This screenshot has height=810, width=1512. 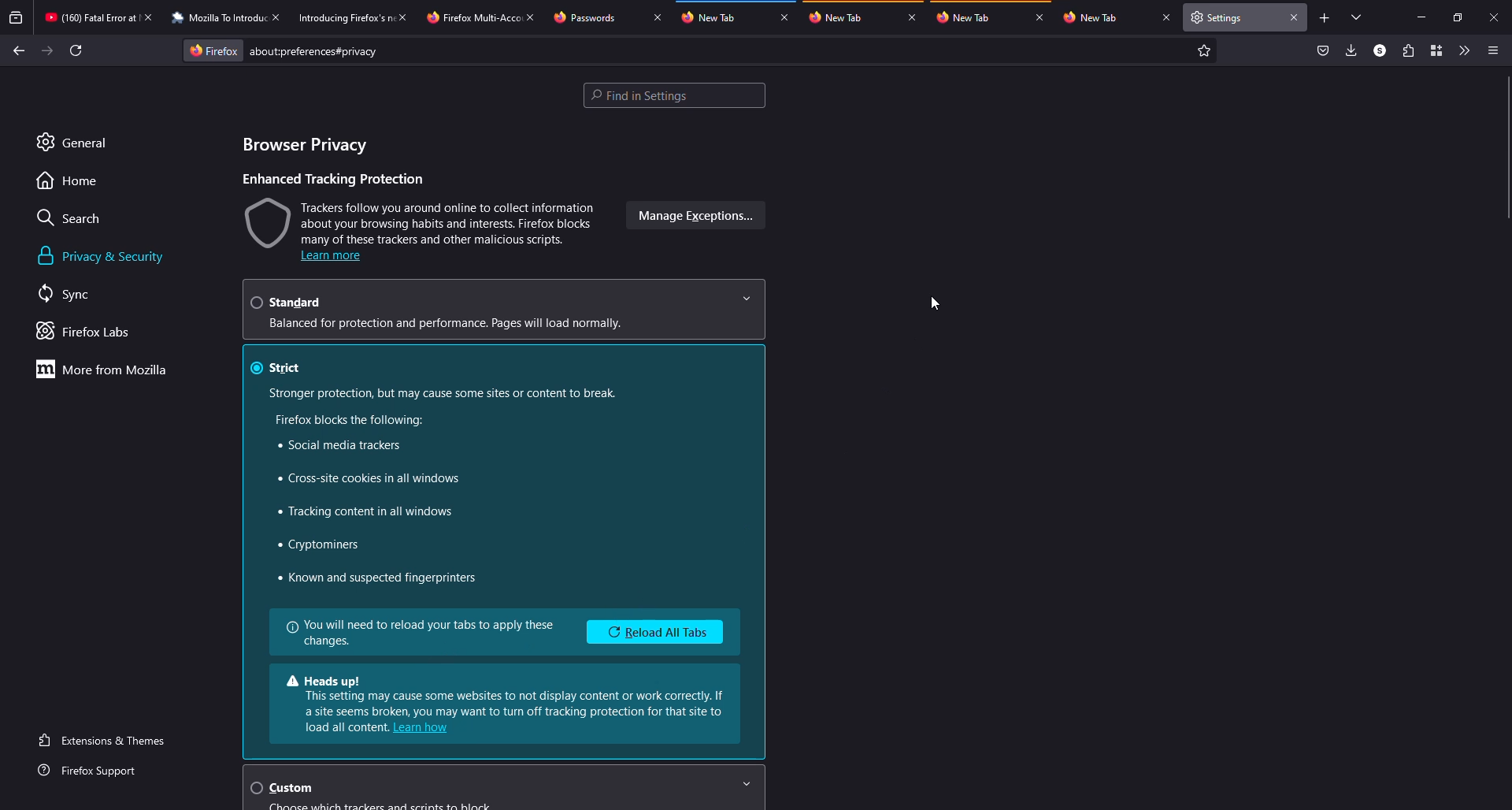 I want to click on strict selected, so click(x=279, y=367).